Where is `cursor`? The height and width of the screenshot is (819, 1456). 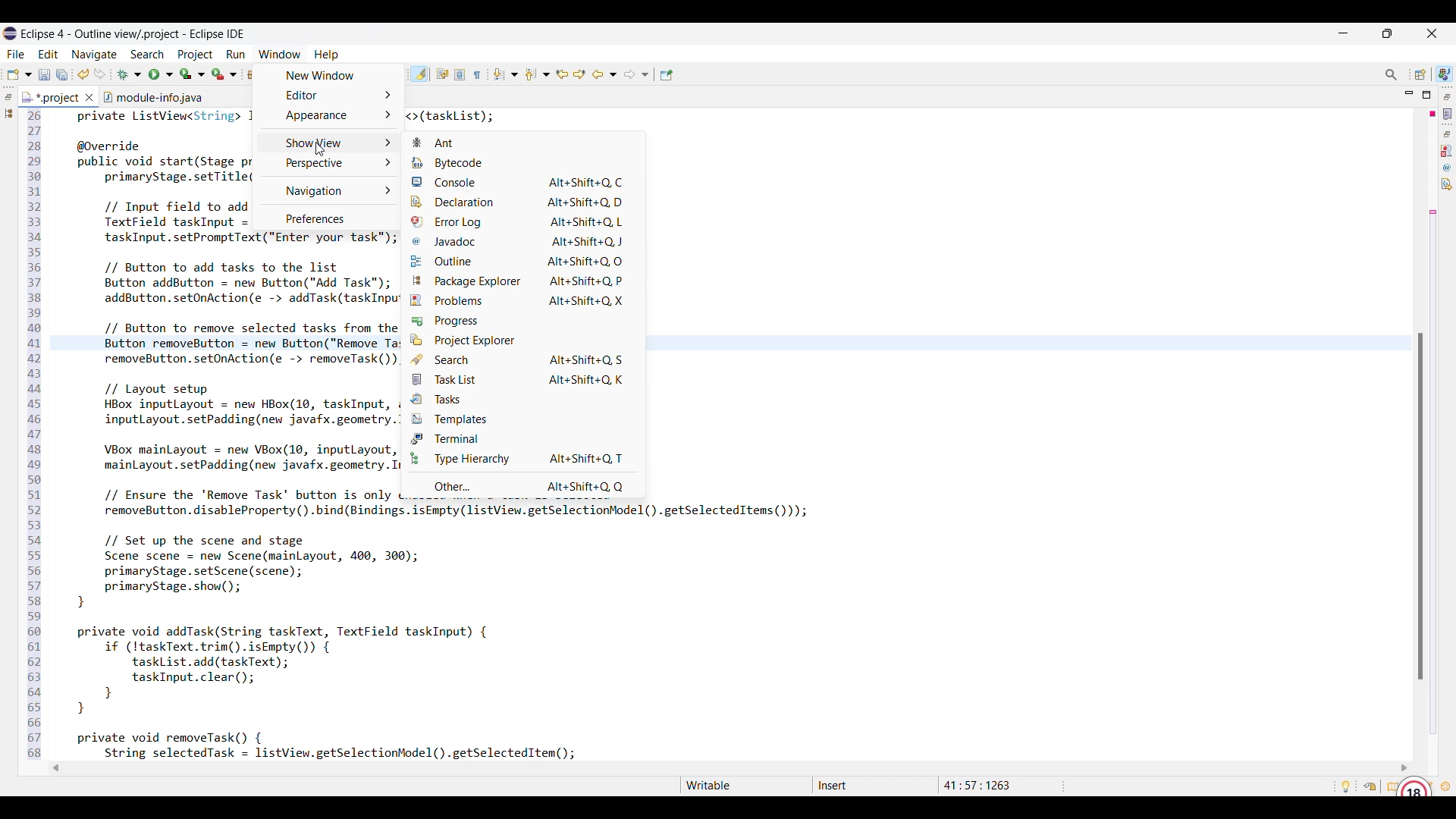
cursor is located at coordinates (319, 150).